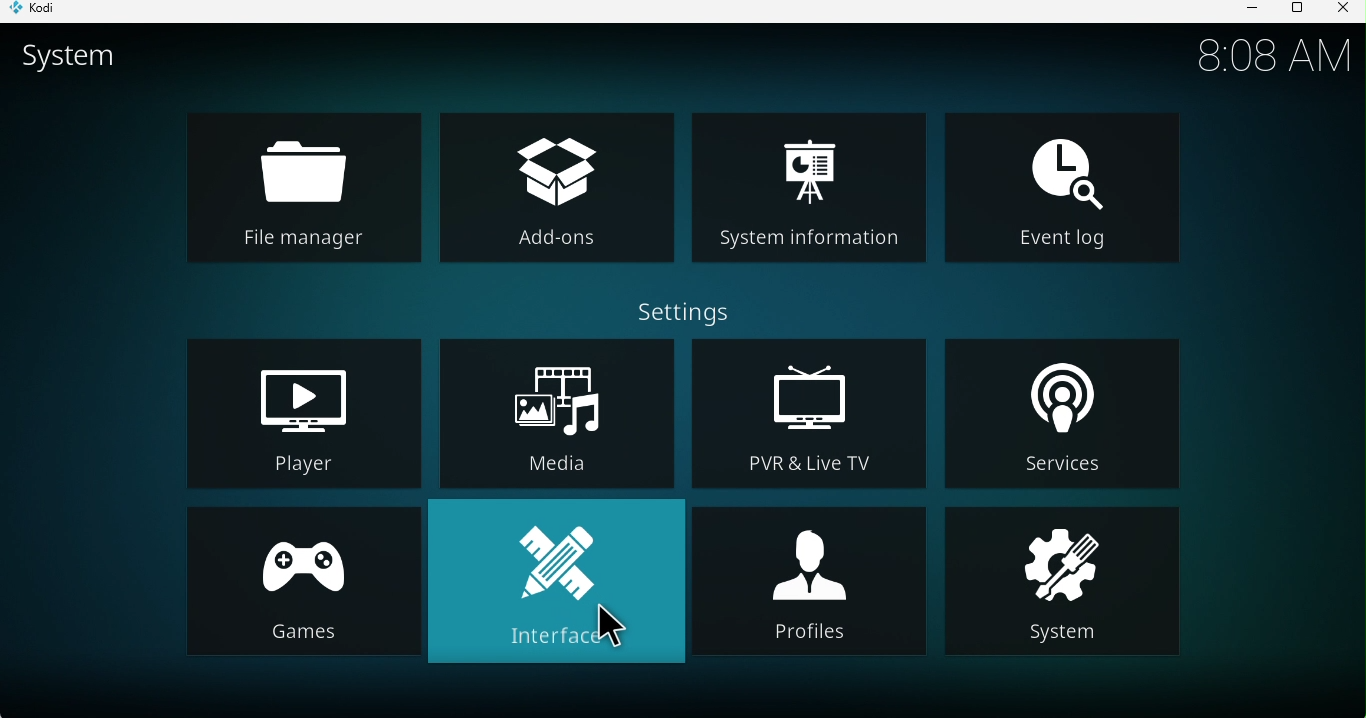 This screenshot has height=718, width=1366. What do you see at coordinates (1243, 11) in the screenshot?
I see `Minimize` at bounding box center [1243, 11].